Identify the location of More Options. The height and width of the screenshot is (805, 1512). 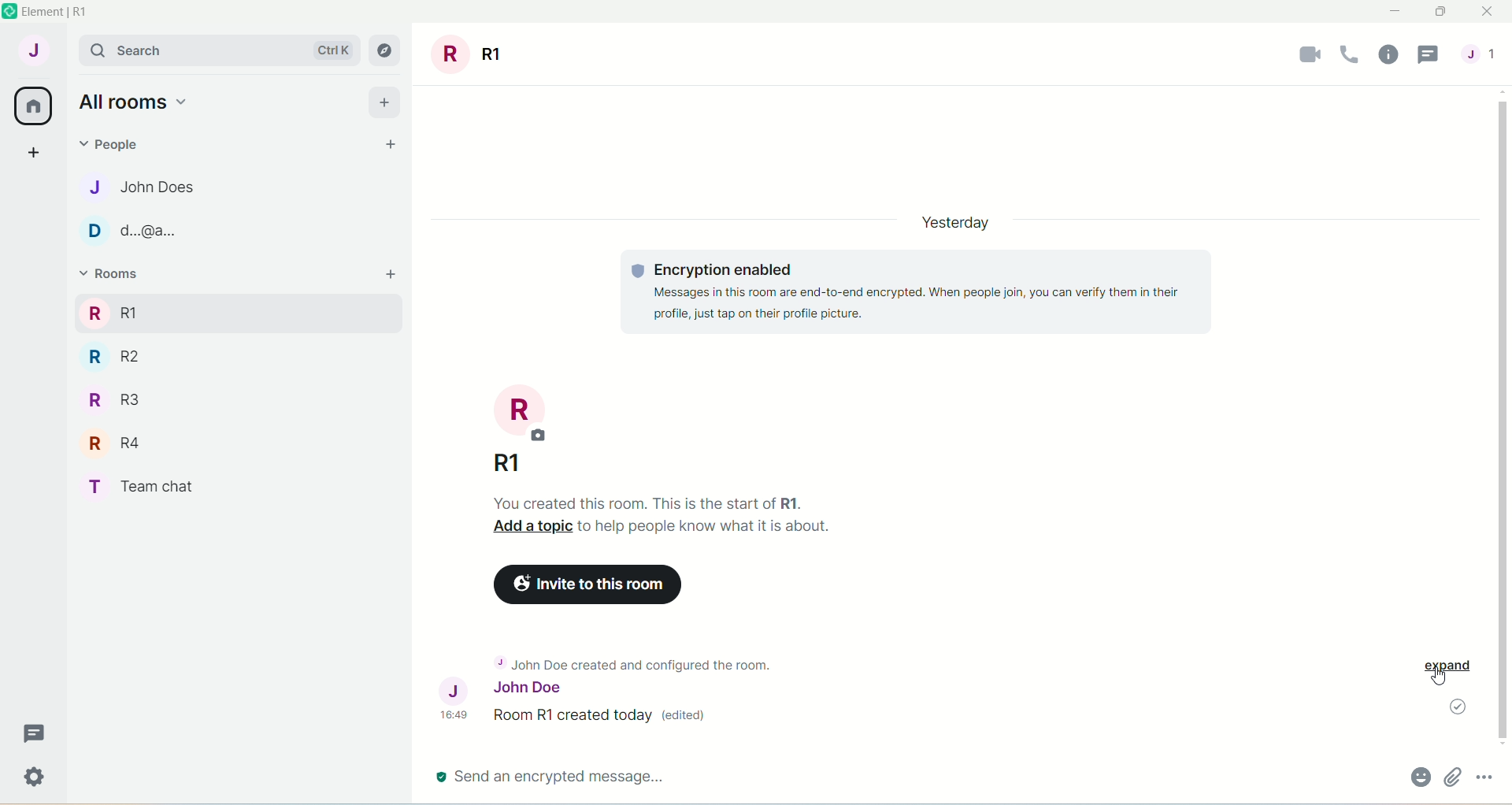
(1489, 779).